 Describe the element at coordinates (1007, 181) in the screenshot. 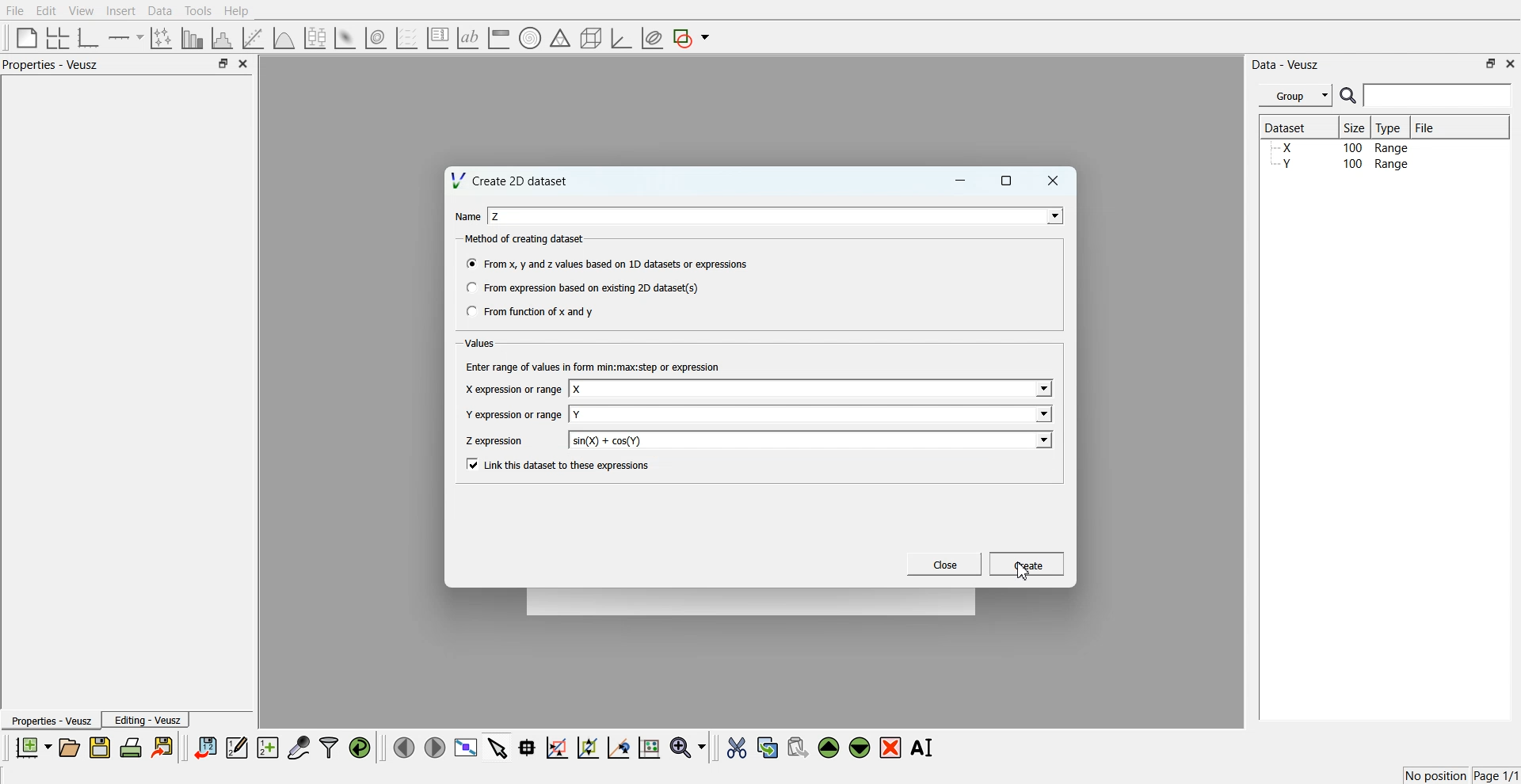

I see `Maximize` at that location.